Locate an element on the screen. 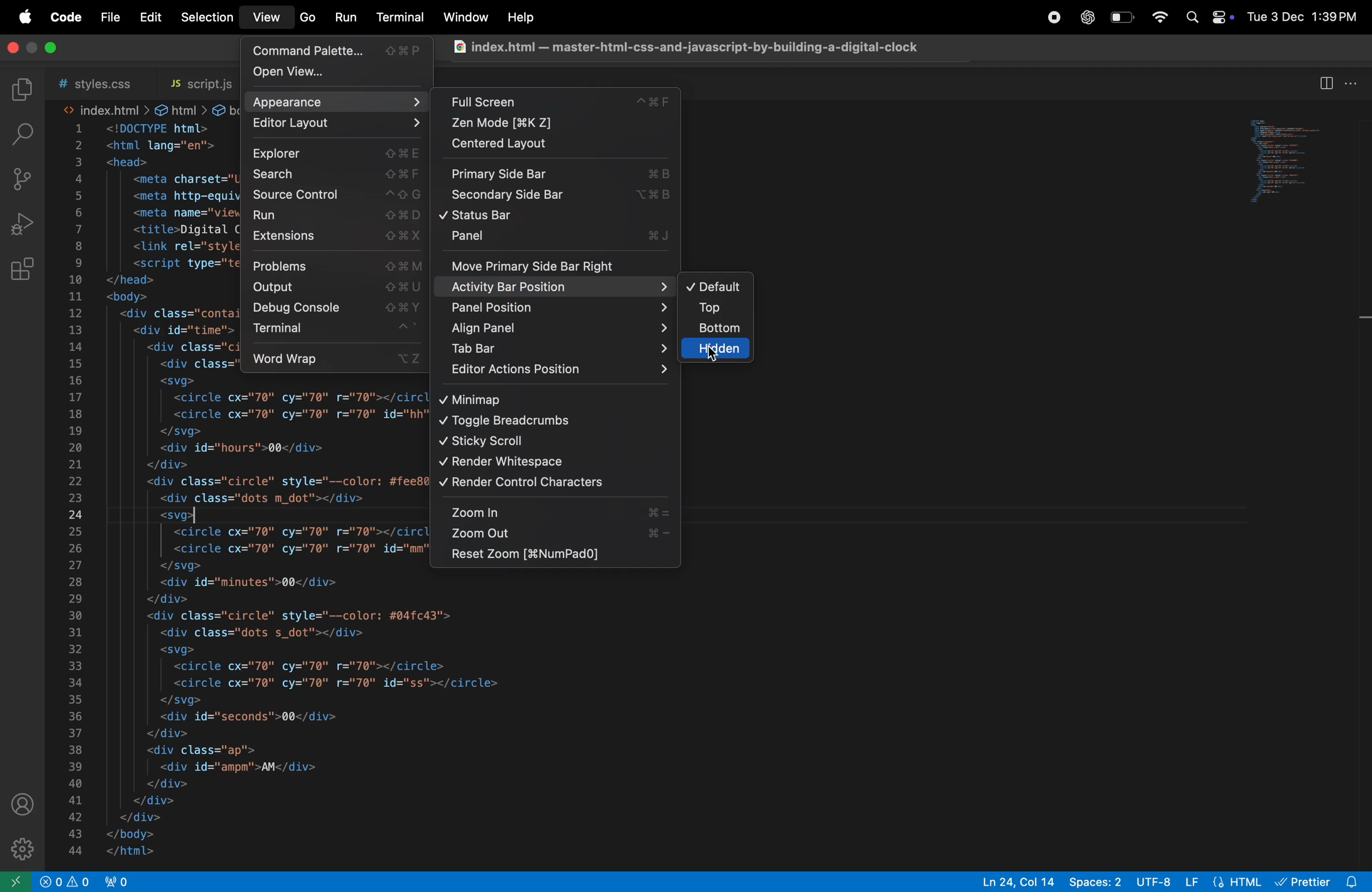 The width and height of the screenshot is (1372, 892). centered layout is located at coordinates (552, 144).